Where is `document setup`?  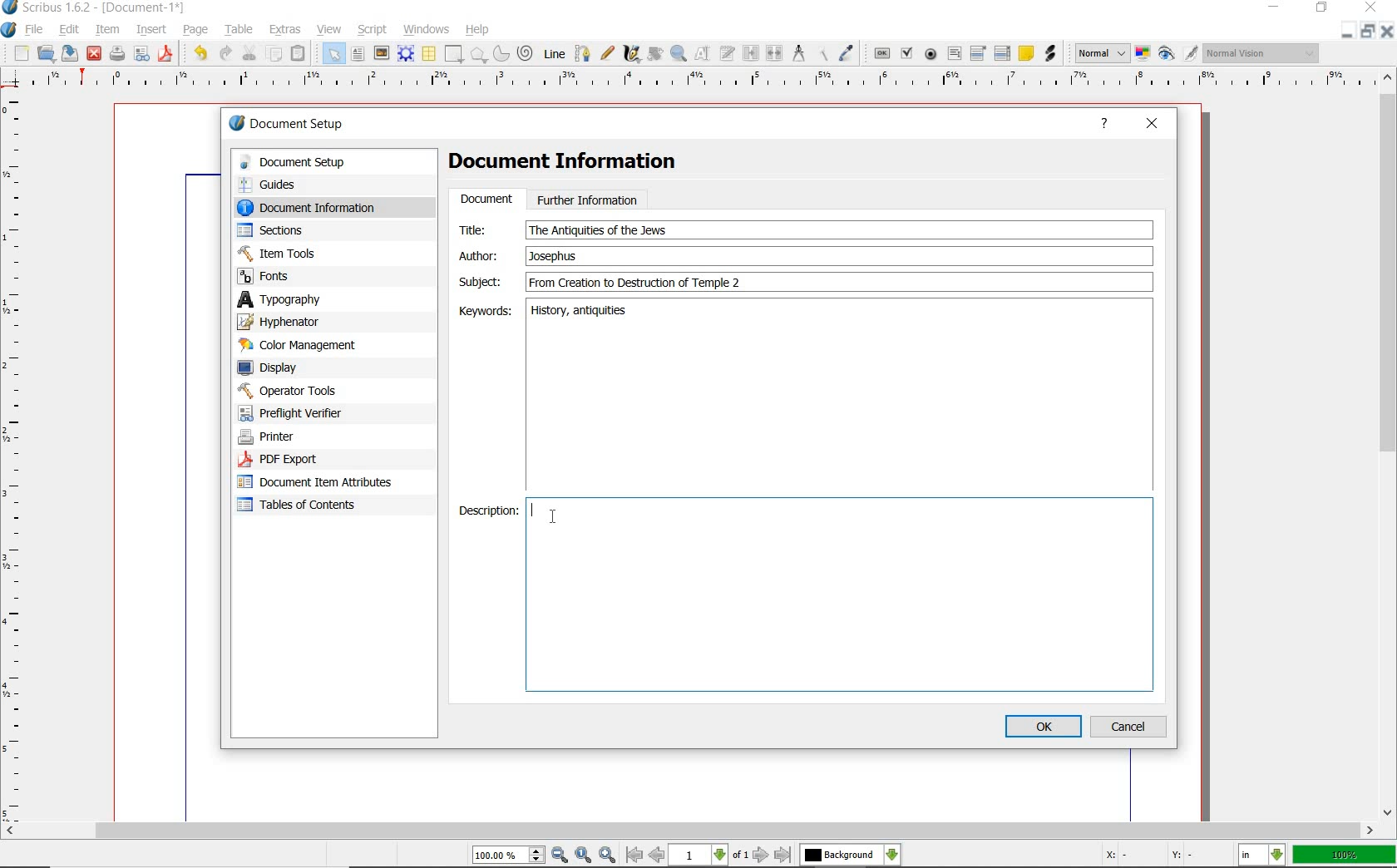
document setup is located at coordinates (320, 162).